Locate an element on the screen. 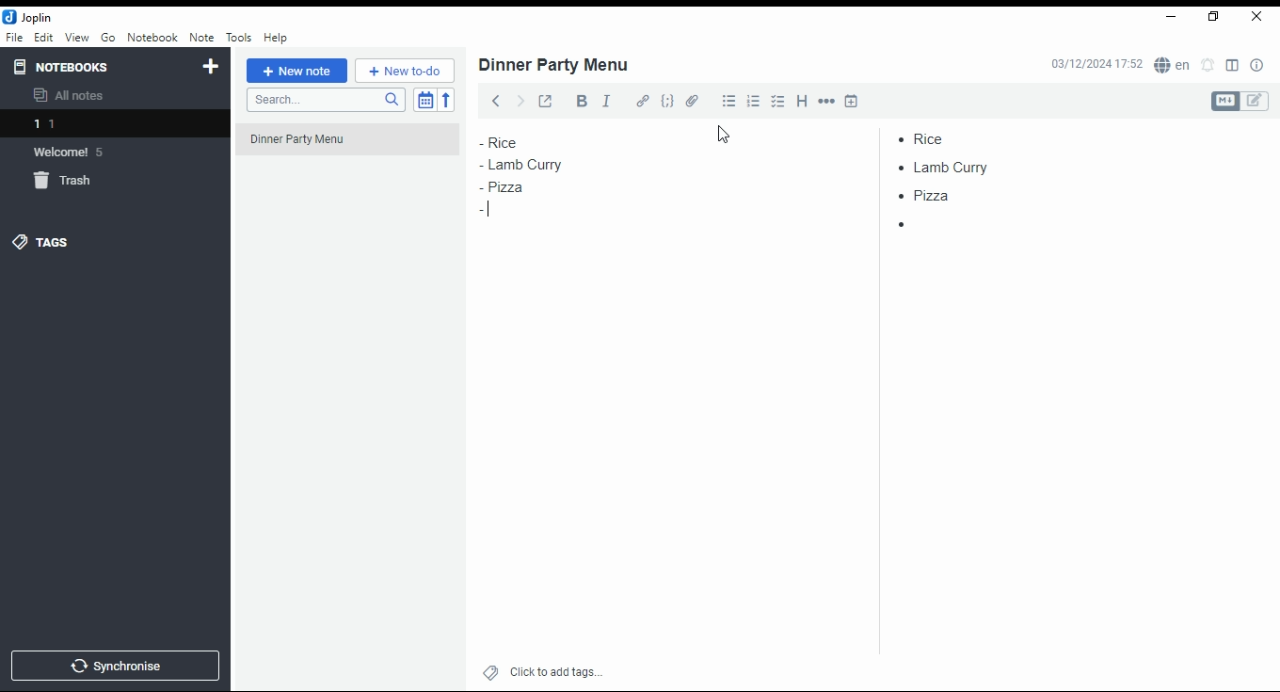 This screenshot has height=692, width=1280. Welcome 5 is located at coordinates (79, 152).